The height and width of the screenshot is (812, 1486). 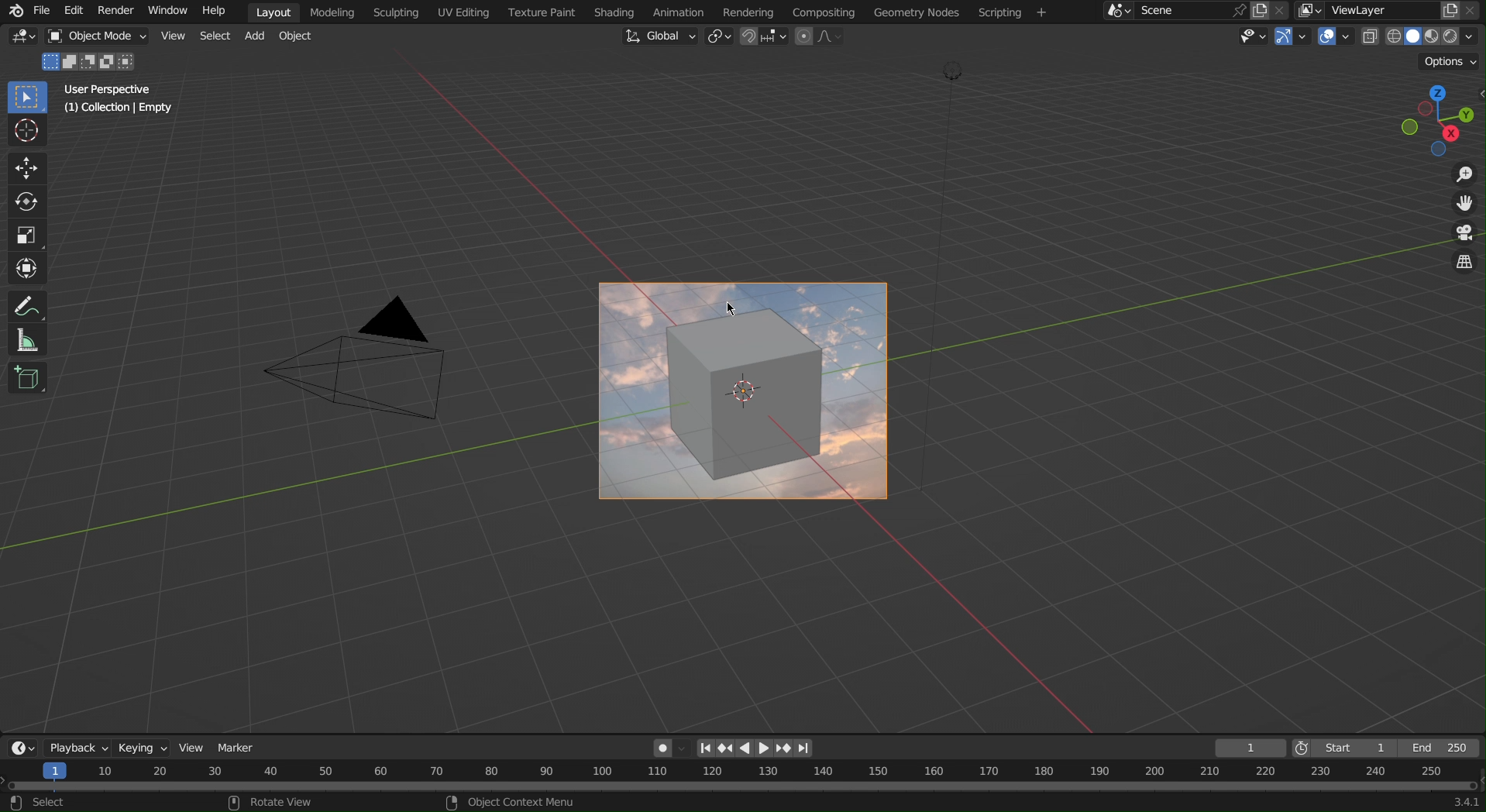 What do you see at coordinates (717, 38) in the screenshot?
I see `Transform Pivot Point` at bounding box center [717, 38].